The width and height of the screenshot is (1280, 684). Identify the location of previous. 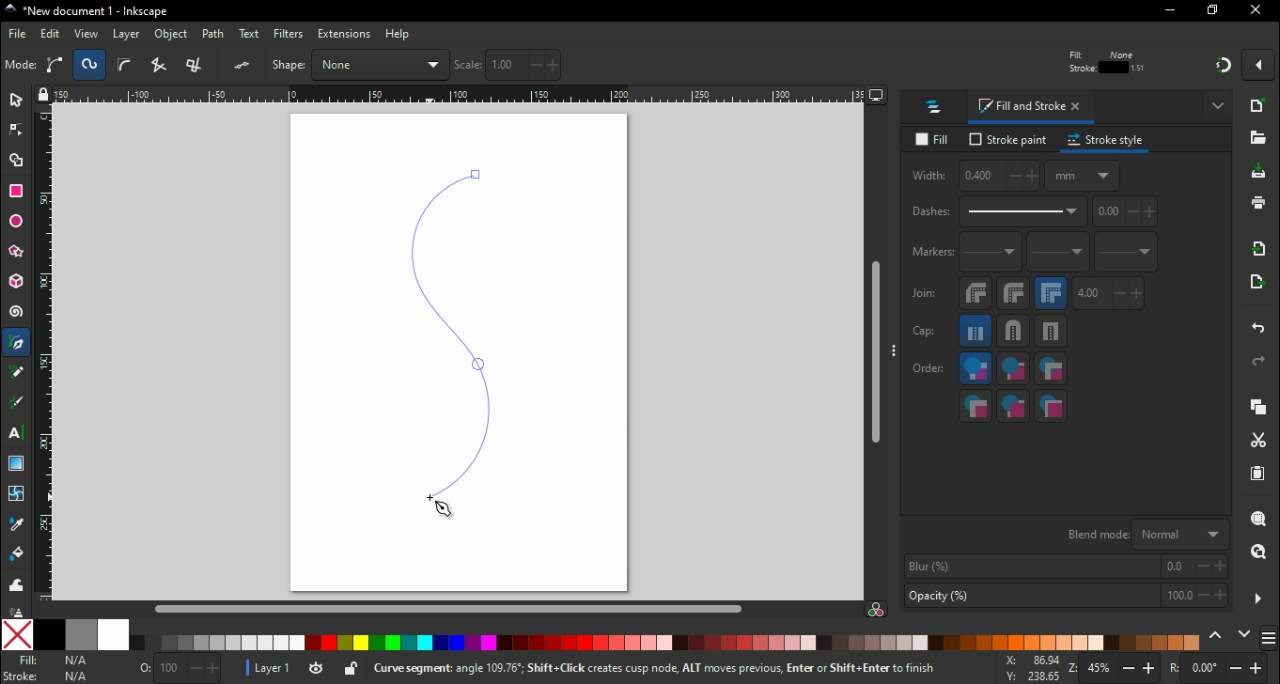
(1217, 635).